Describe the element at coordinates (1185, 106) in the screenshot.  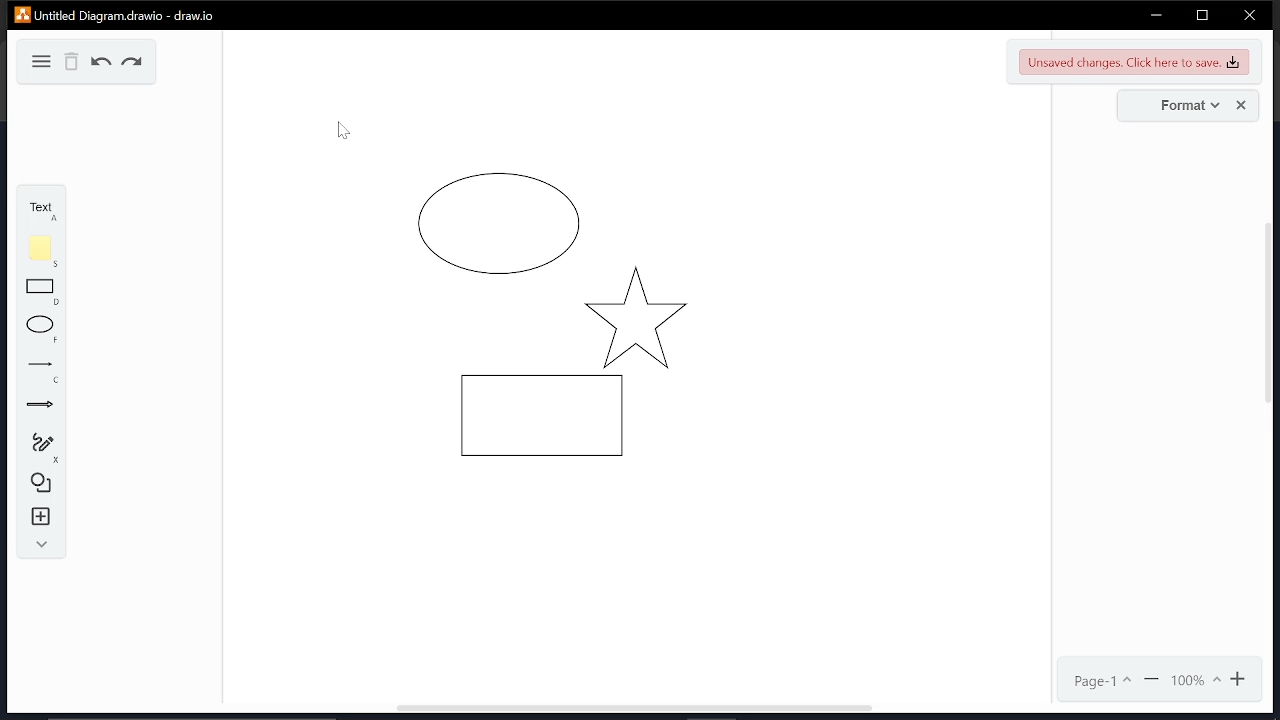
I see `format` at that location.